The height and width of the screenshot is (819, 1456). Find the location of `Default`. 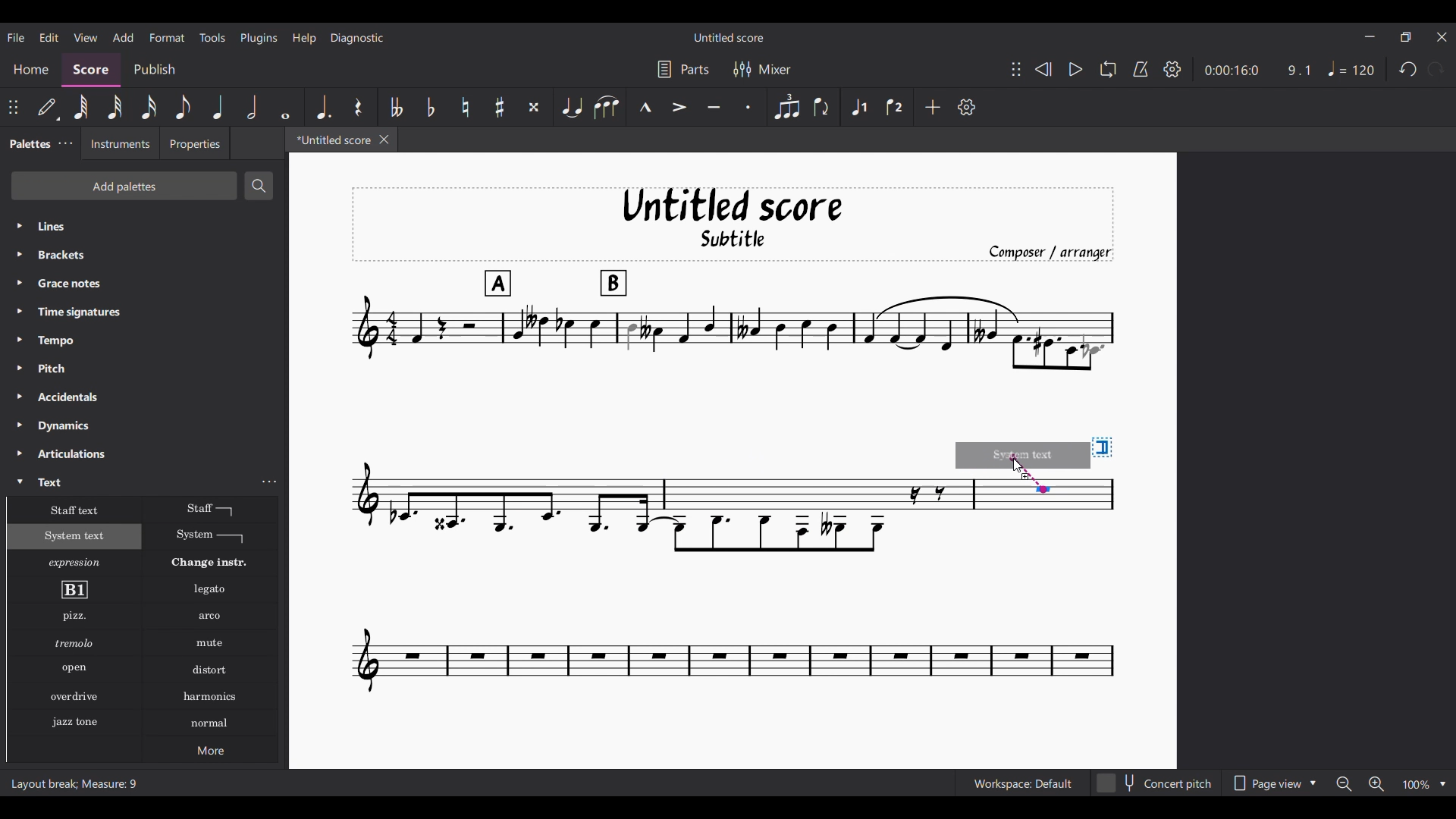

Default is located at coordinates (48, 107).